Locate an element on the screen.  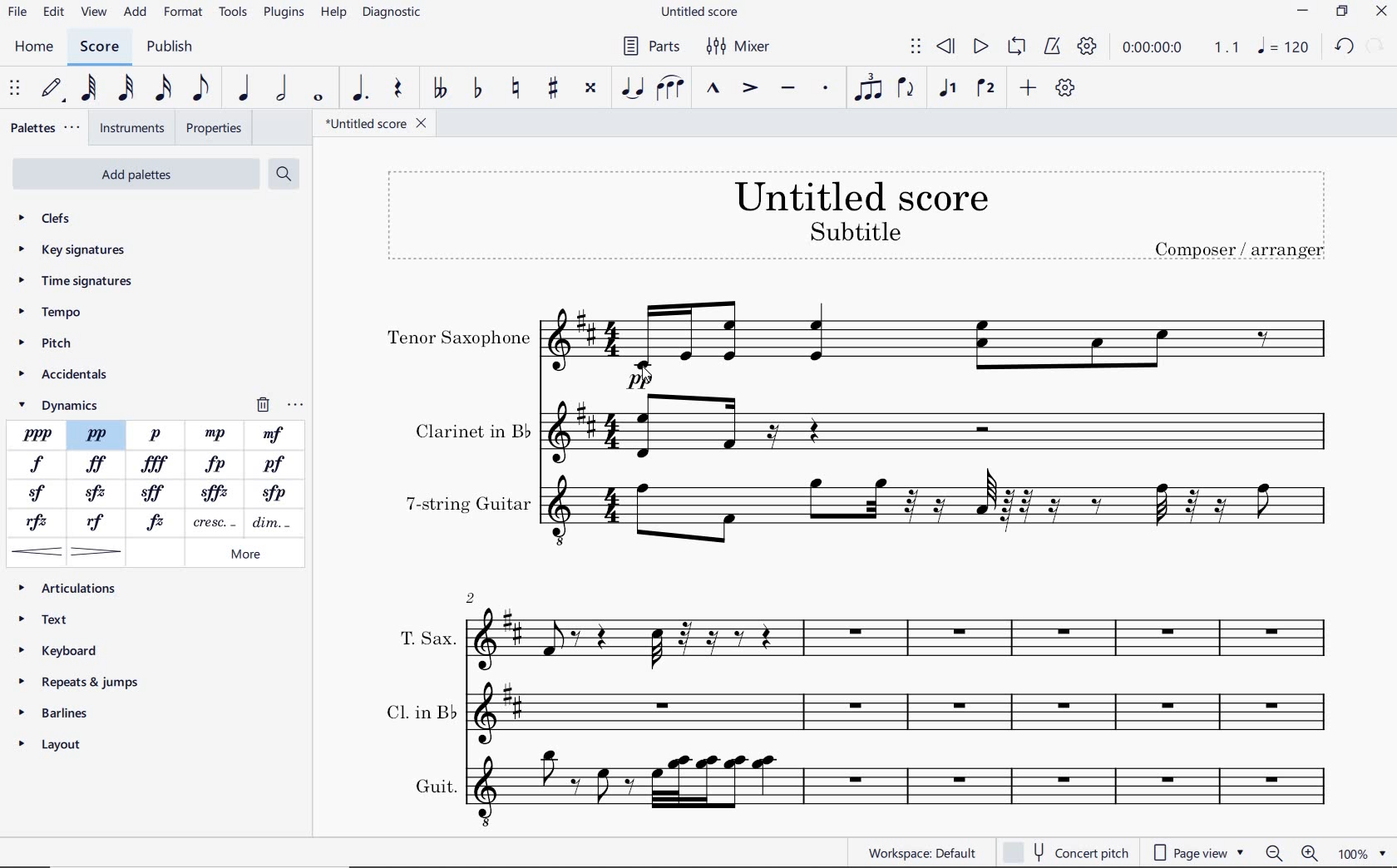
DECRESENDO LINE is located at coordinates (273, 523).